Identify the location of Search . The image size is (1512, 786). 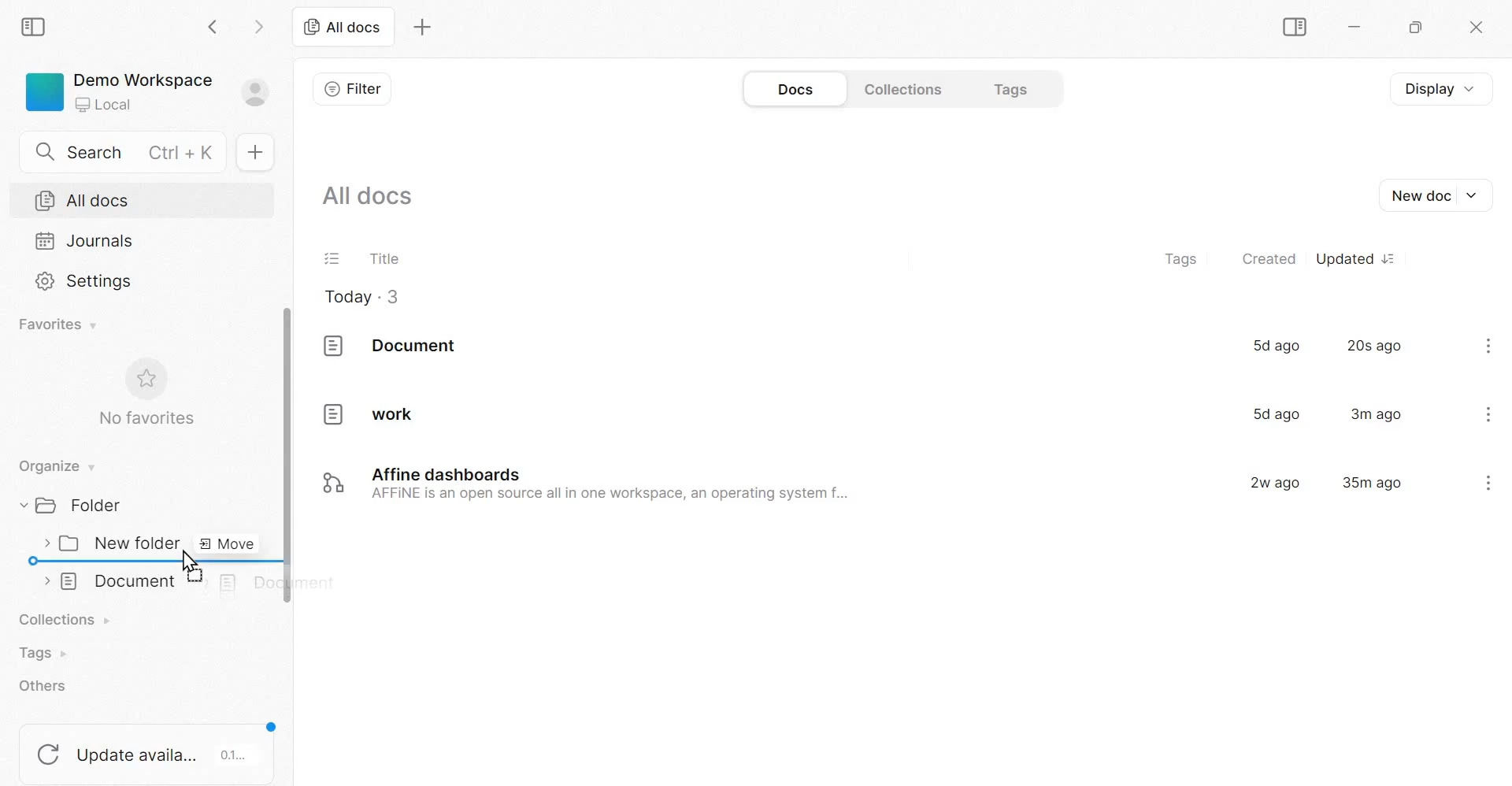
(120, 152).